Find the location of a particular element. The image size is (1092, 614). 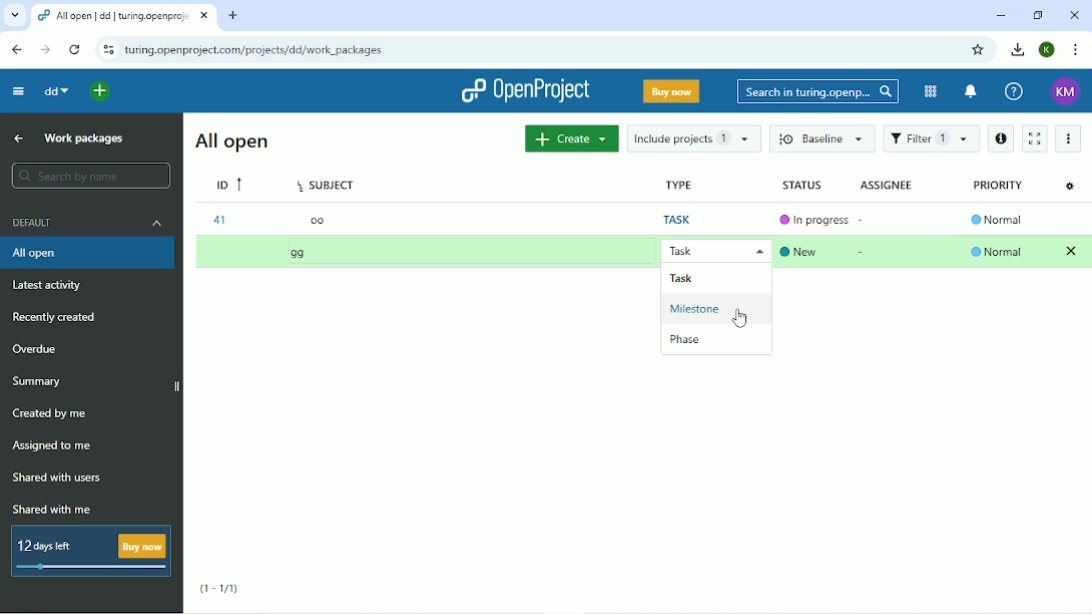

New tab is located at coordinates (233, 16).